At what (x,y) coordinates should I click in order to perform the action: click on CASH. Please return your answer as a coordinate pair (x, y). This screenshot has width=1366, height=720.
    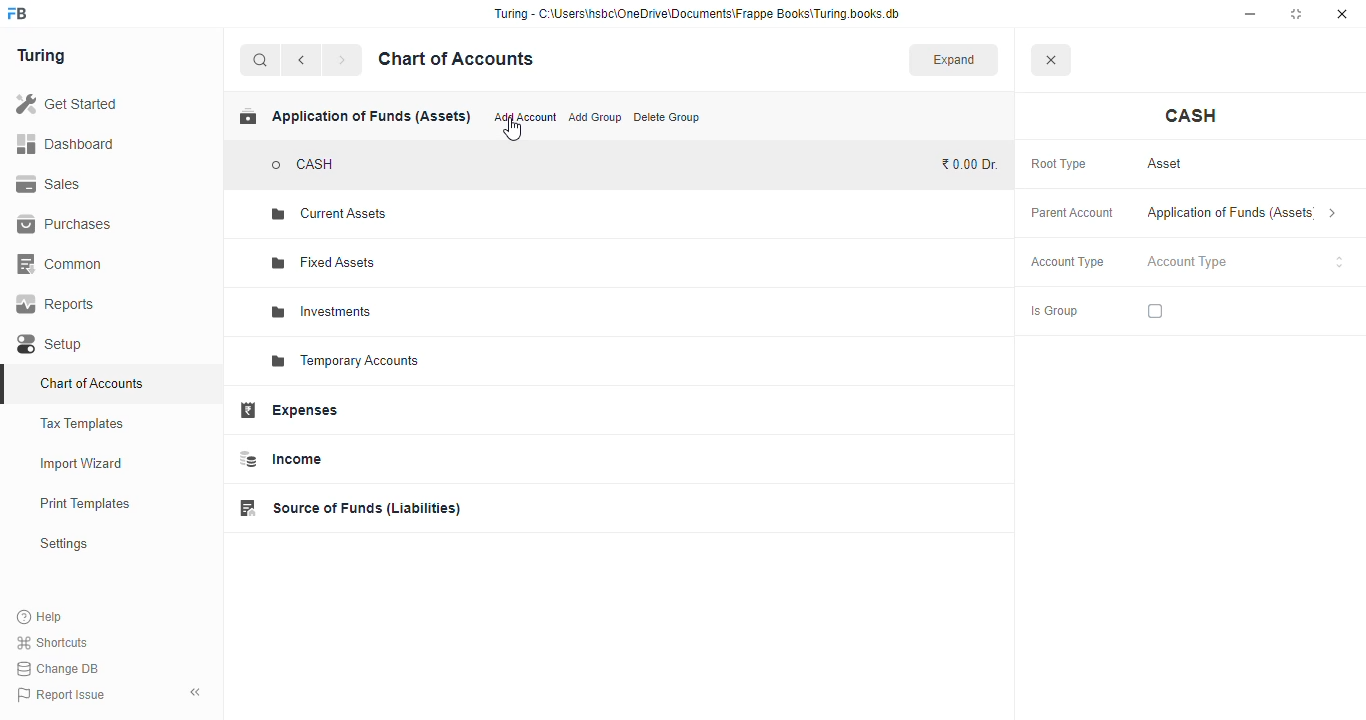
    Looking at the image, I should click on (304, 165).